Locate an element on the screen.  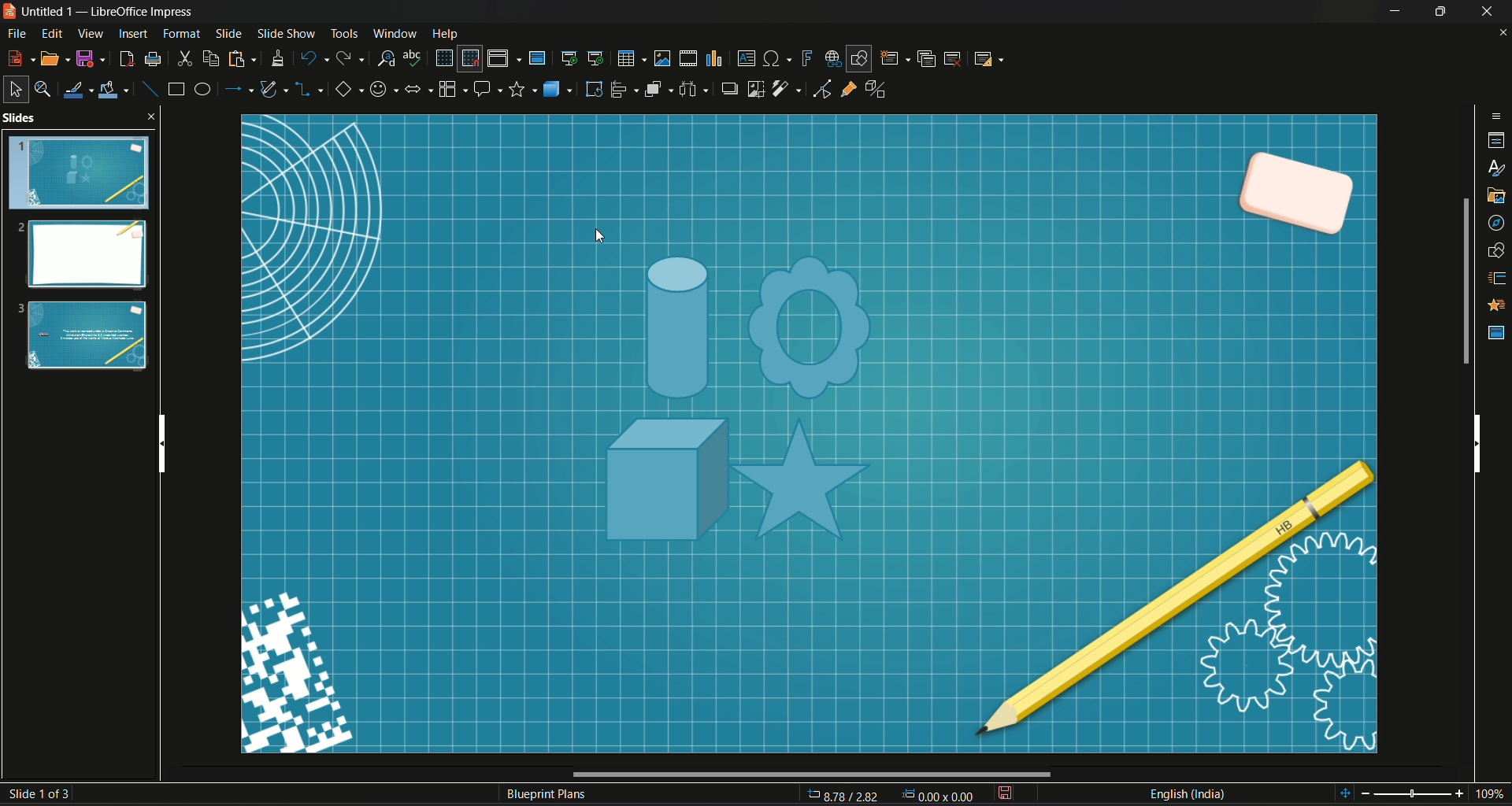
Edit is located at coordinates (53, 34).